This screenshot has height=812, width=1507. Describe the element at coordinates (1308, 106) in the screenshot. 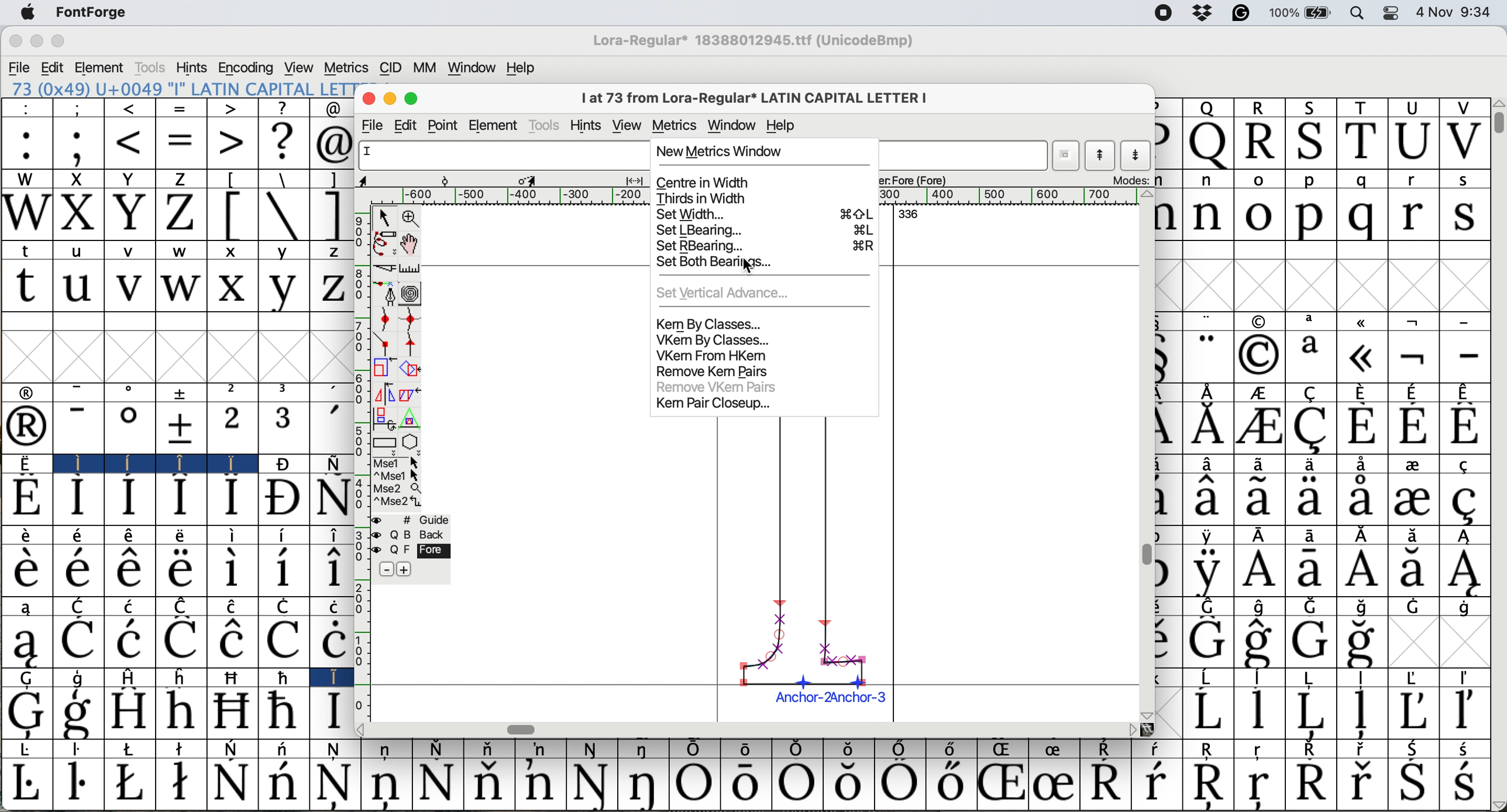

I see `S` at that location.